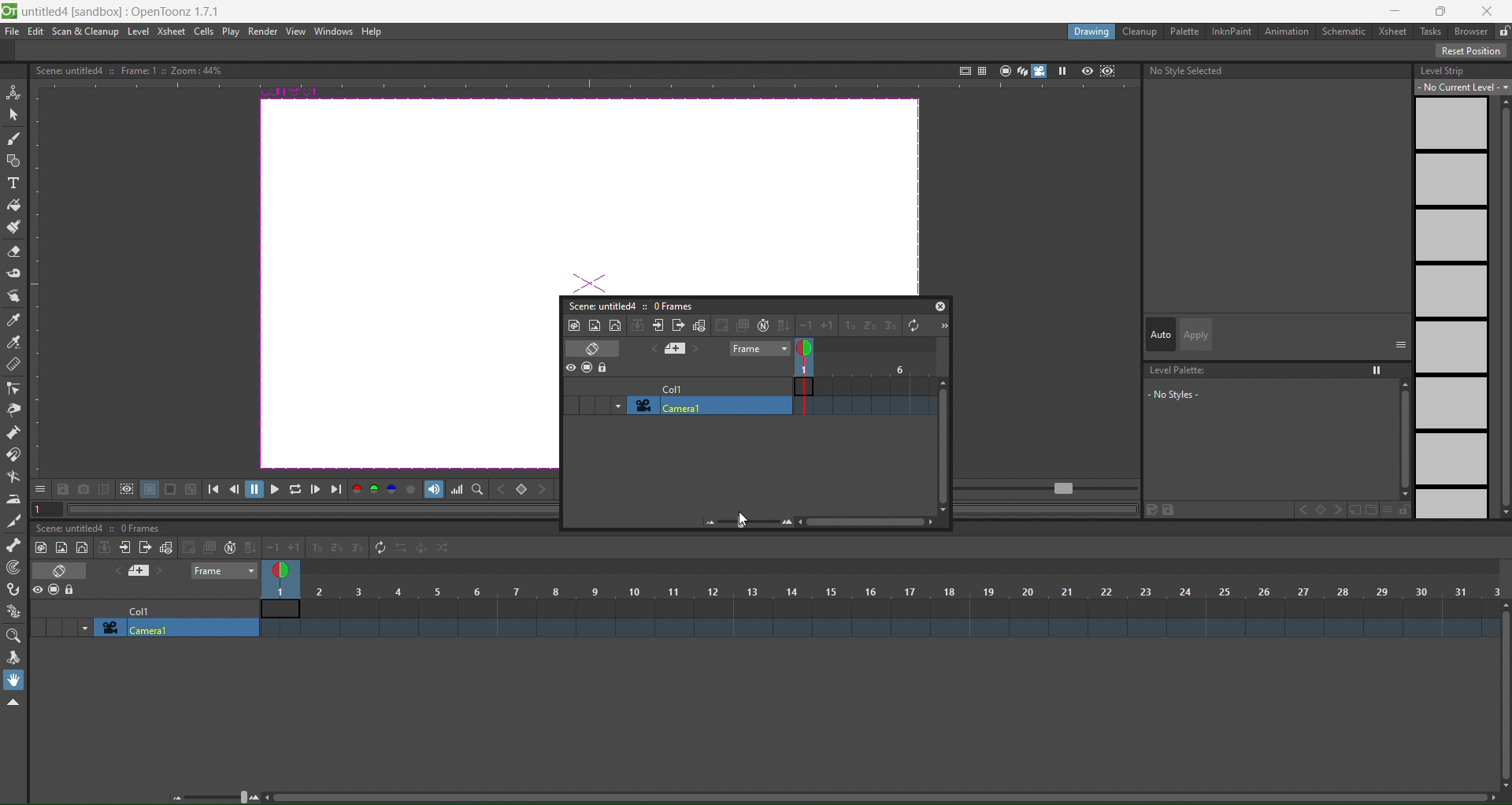 The width and height of the screenshot is (1512, 805). What do you see at coordinates (314, 546) in the screenshot?
I see `increasestep` at bounding box center [314, 546].